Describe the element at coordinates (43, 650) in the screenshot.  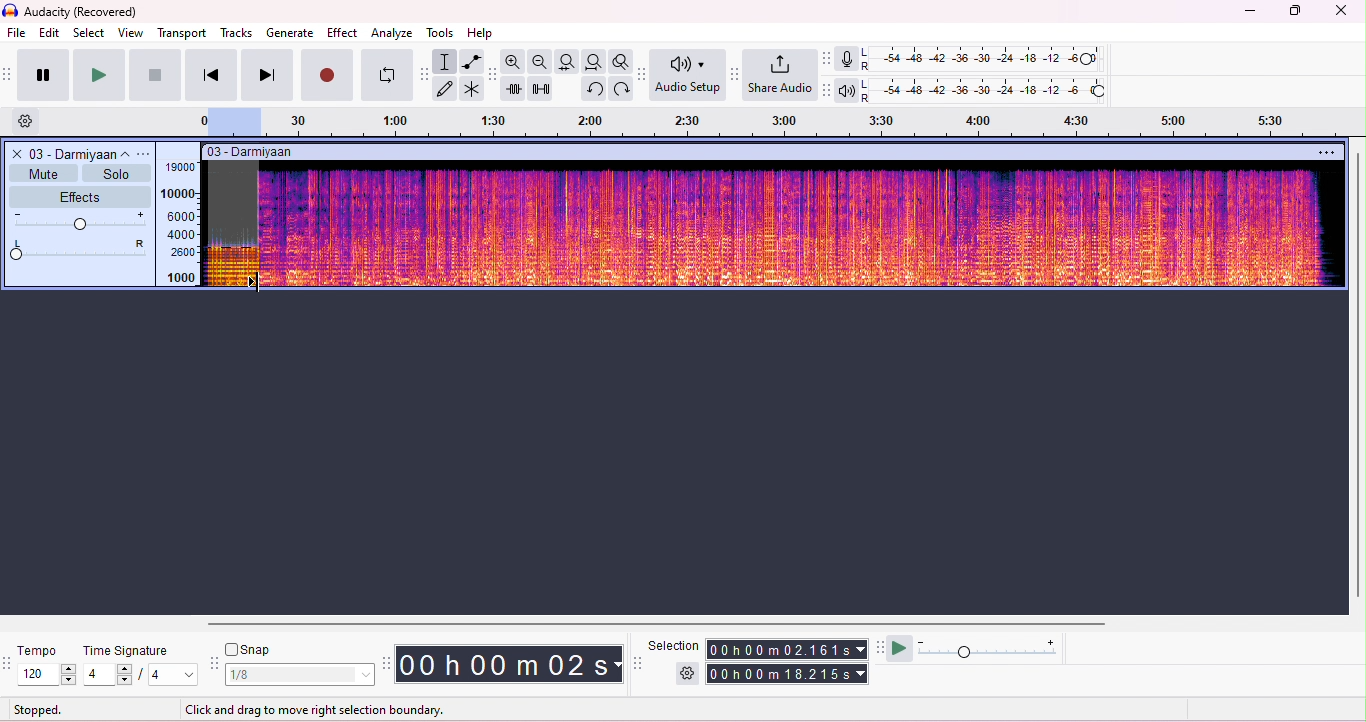
I see `tempo` at that location.